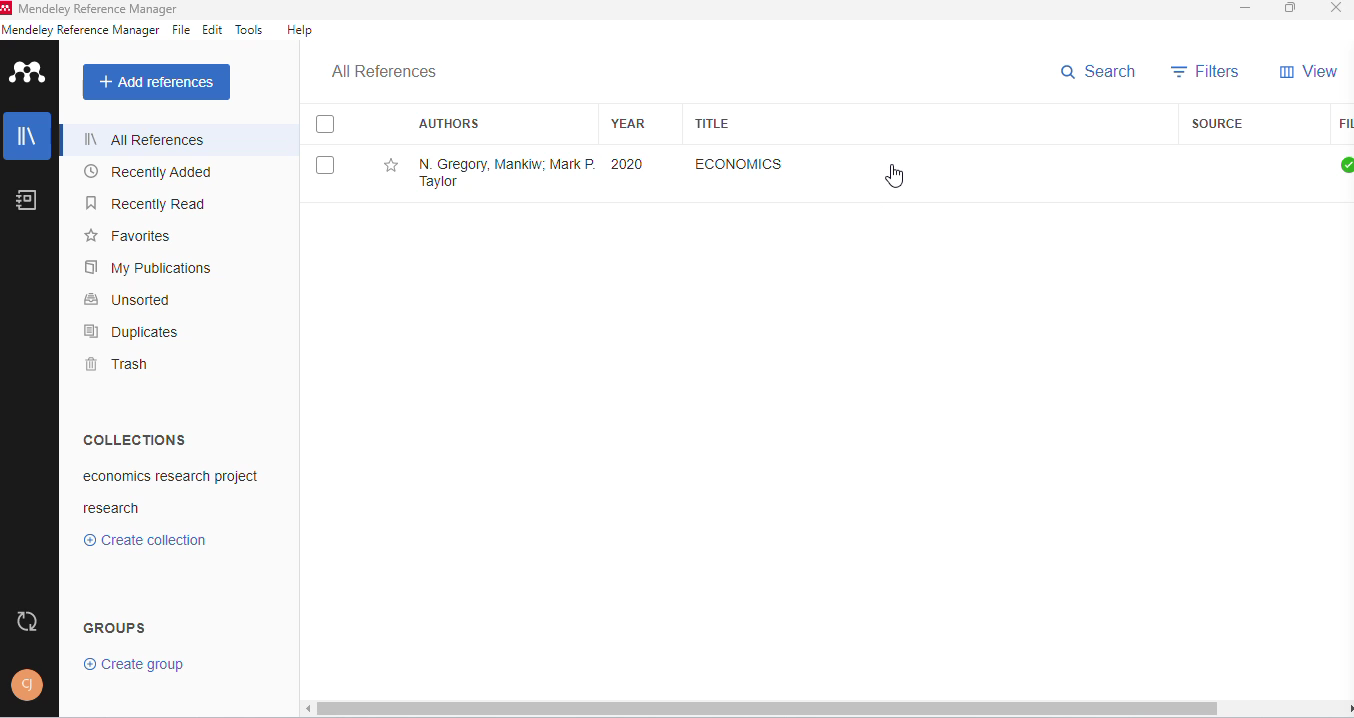 The height and width of the screenshot is (718, 1354). I want to click on authors, so click(450, 123).